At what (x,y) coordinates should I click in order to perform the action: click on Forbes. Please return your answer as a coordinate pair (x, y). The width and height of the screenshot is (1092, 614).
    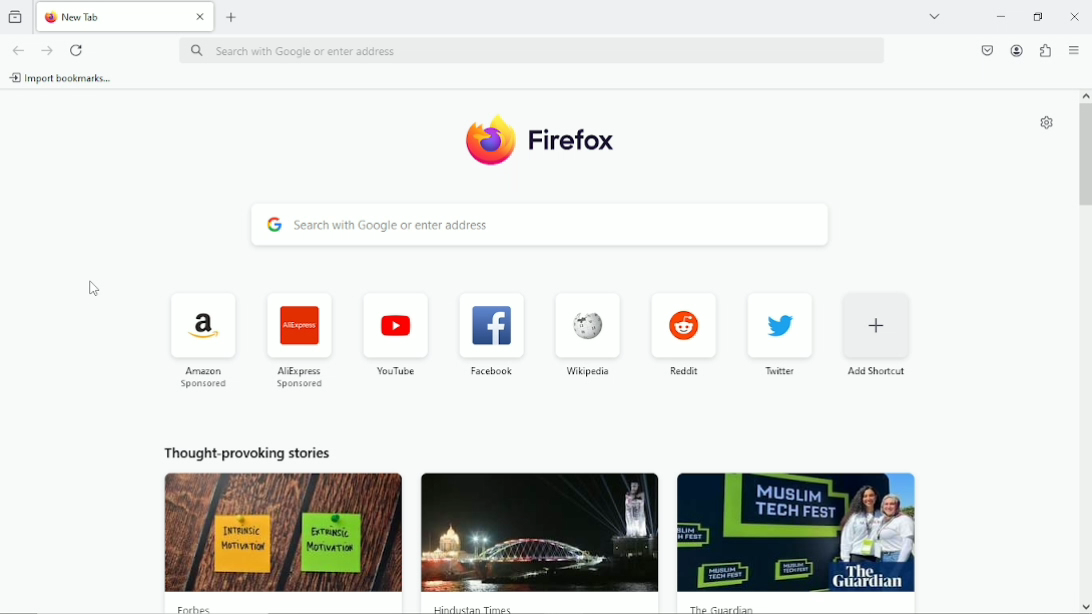
    Looking at the image, I should click on (200, 608).